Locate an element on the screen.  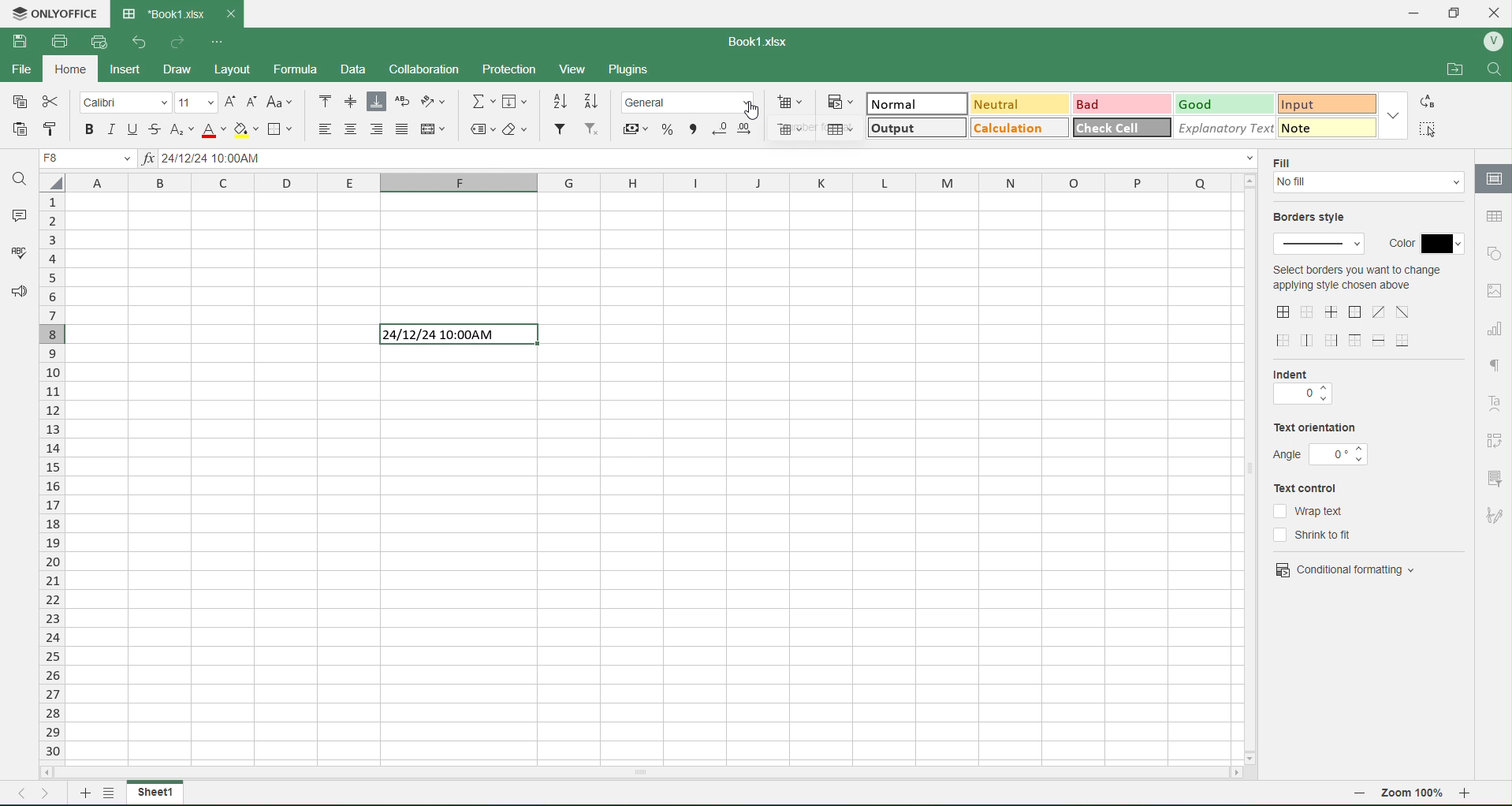
Underline is located at coordinates (131, 129).